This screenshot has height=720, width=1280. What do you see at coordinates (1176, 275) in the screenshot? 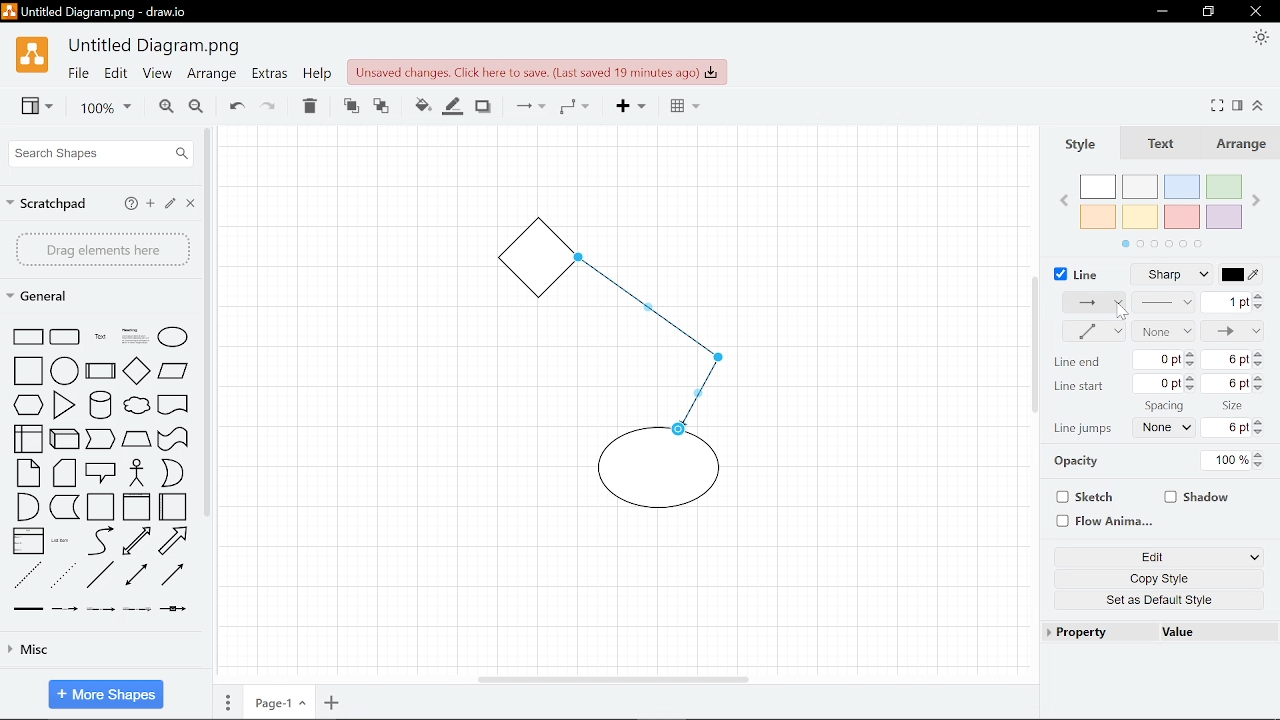
I see `Sharp` at bounding box center [1176, 275].